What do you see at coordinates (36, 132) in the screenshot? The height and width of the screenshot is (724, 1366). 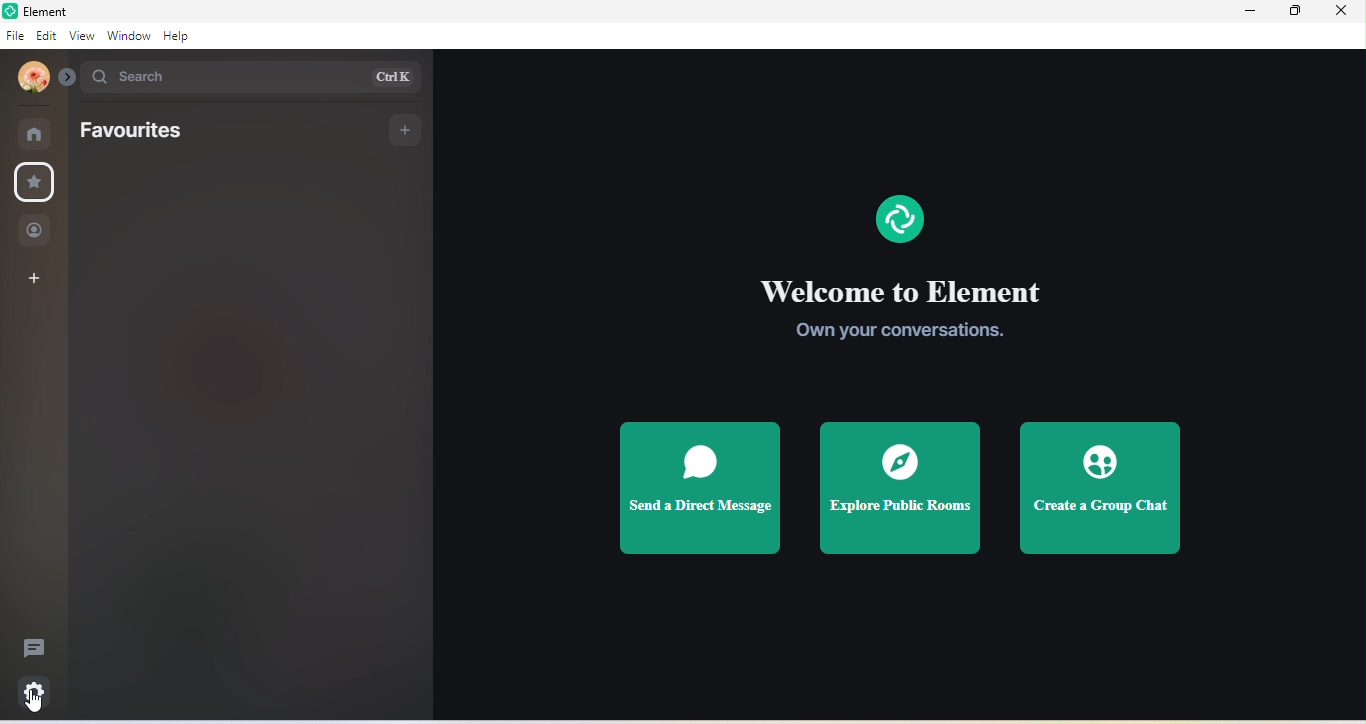 I see `rooms` at bounding box center [36, 132].